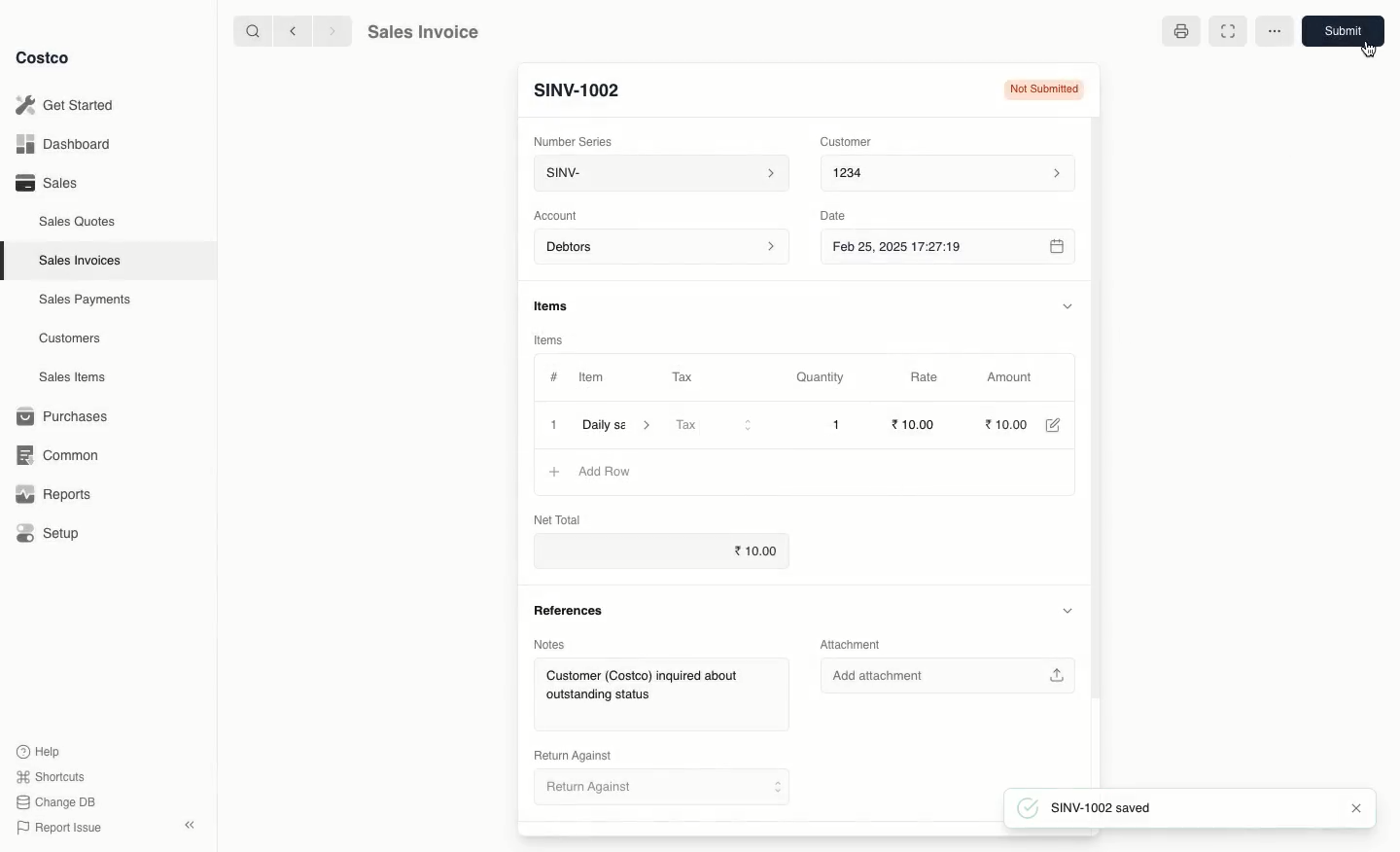 This screenshot has height=852, width=1400. What do you see at coordinates (574, 141) in the screenshot?
I see `Number Series` at bounding box center [574, 141].